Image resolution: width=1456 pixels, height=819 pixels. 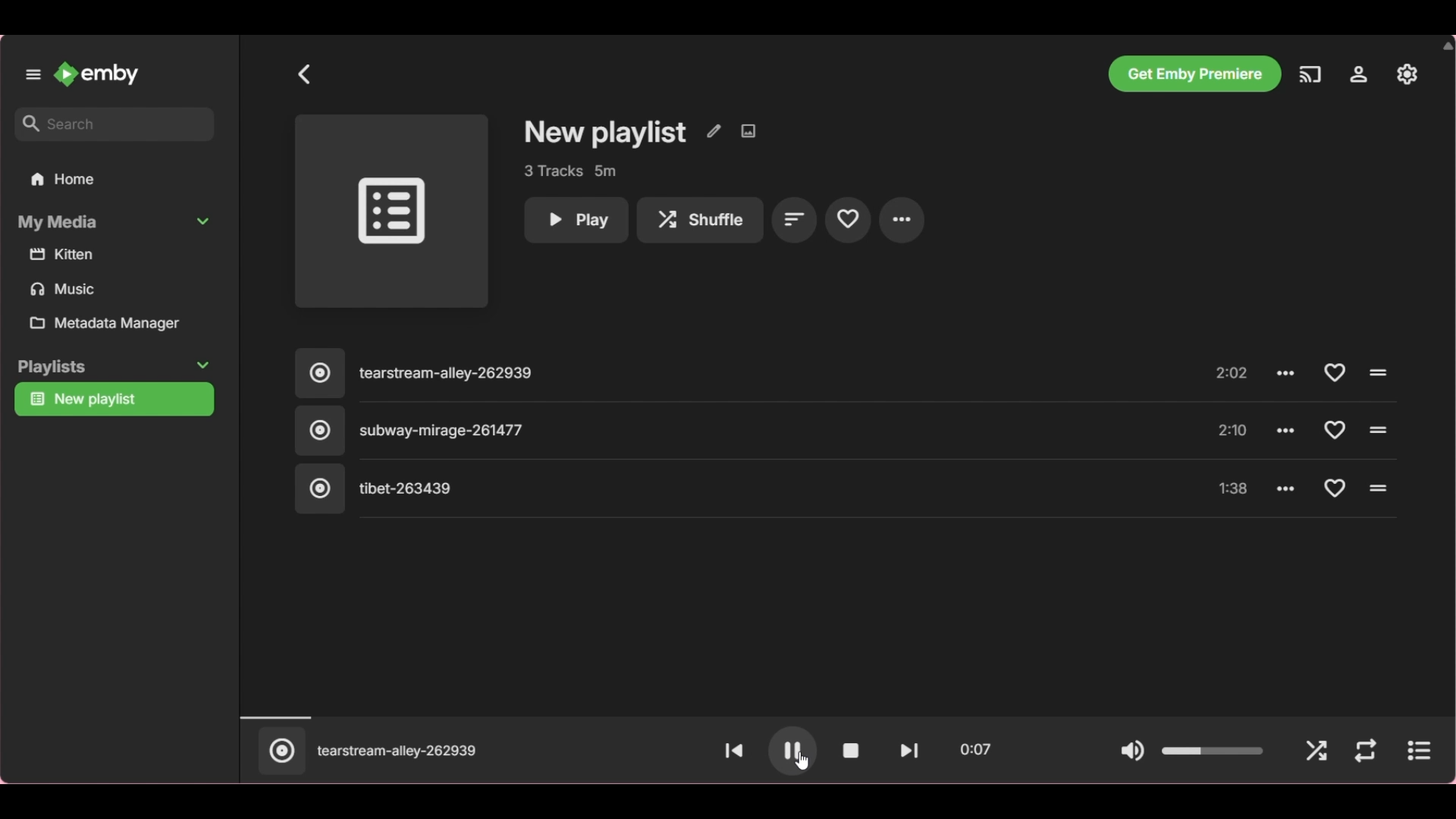 What do you see at coordinates (1310, 74) in the screenshot?
I see `Play on another device` at bounding box center [1310, 74].